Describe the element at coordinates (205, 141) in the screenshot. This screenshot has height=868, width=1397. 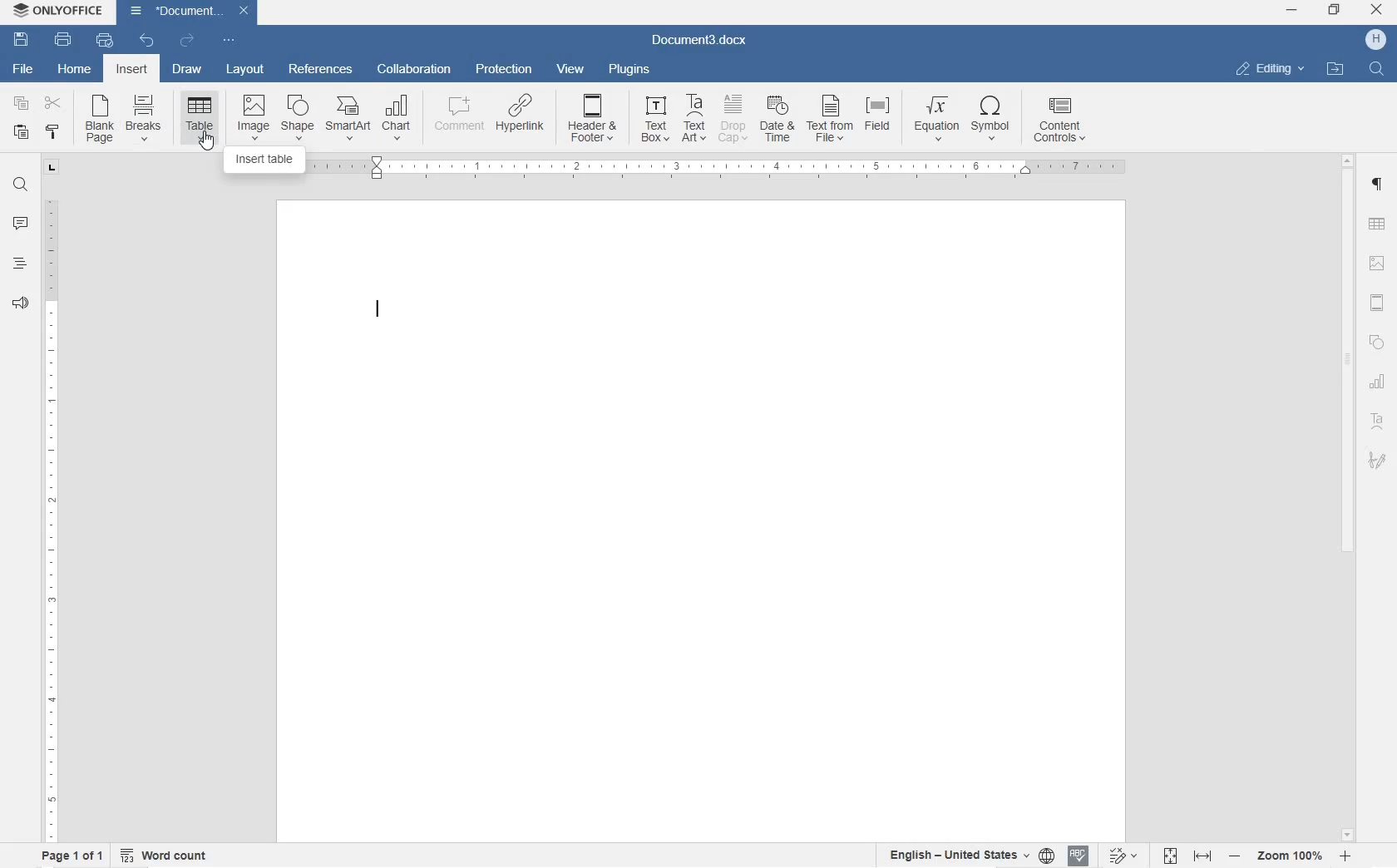
I see `cursor` at that location.